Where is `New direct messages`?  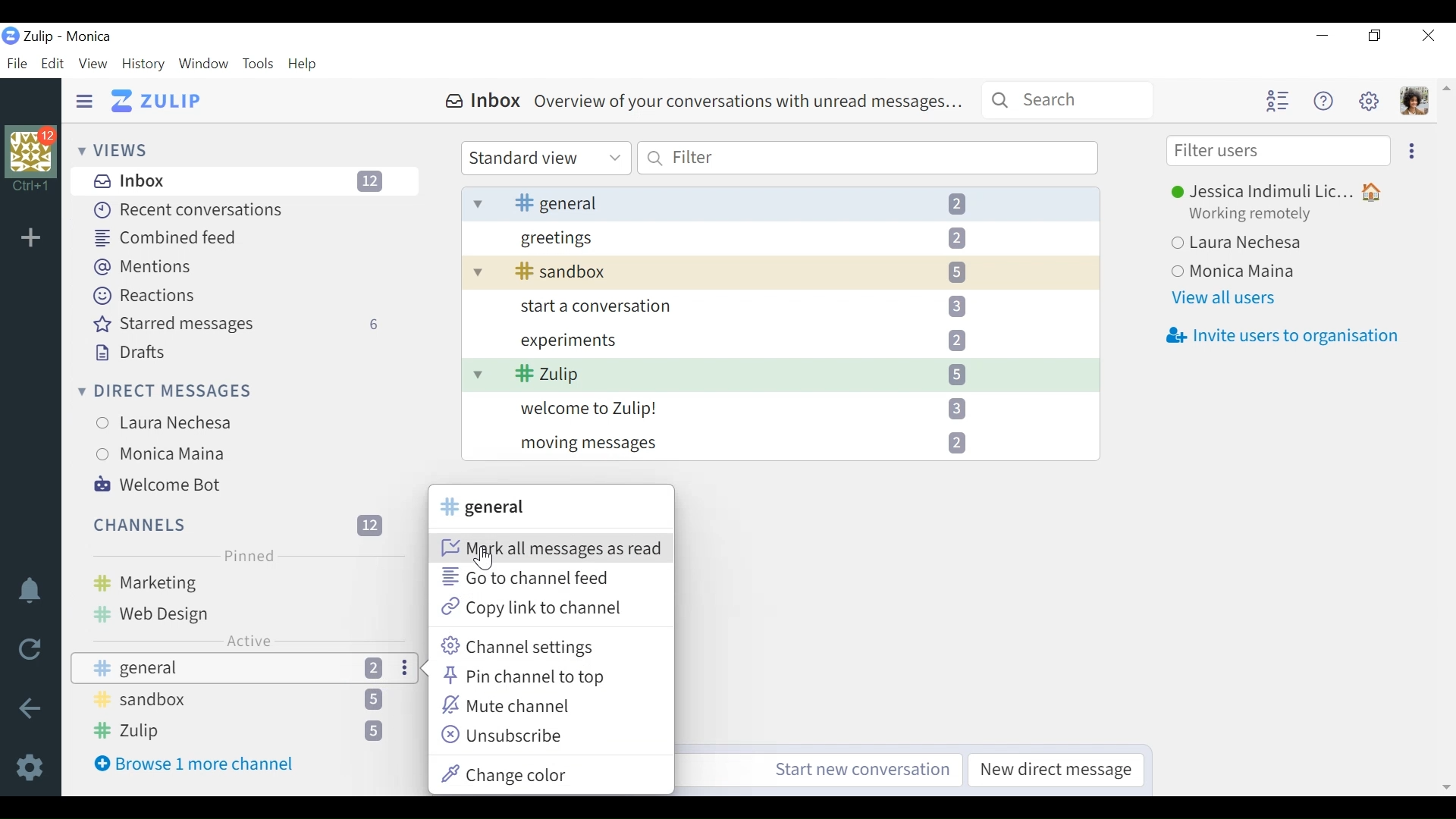
New direct messages is located at coordinates (1053, 770).